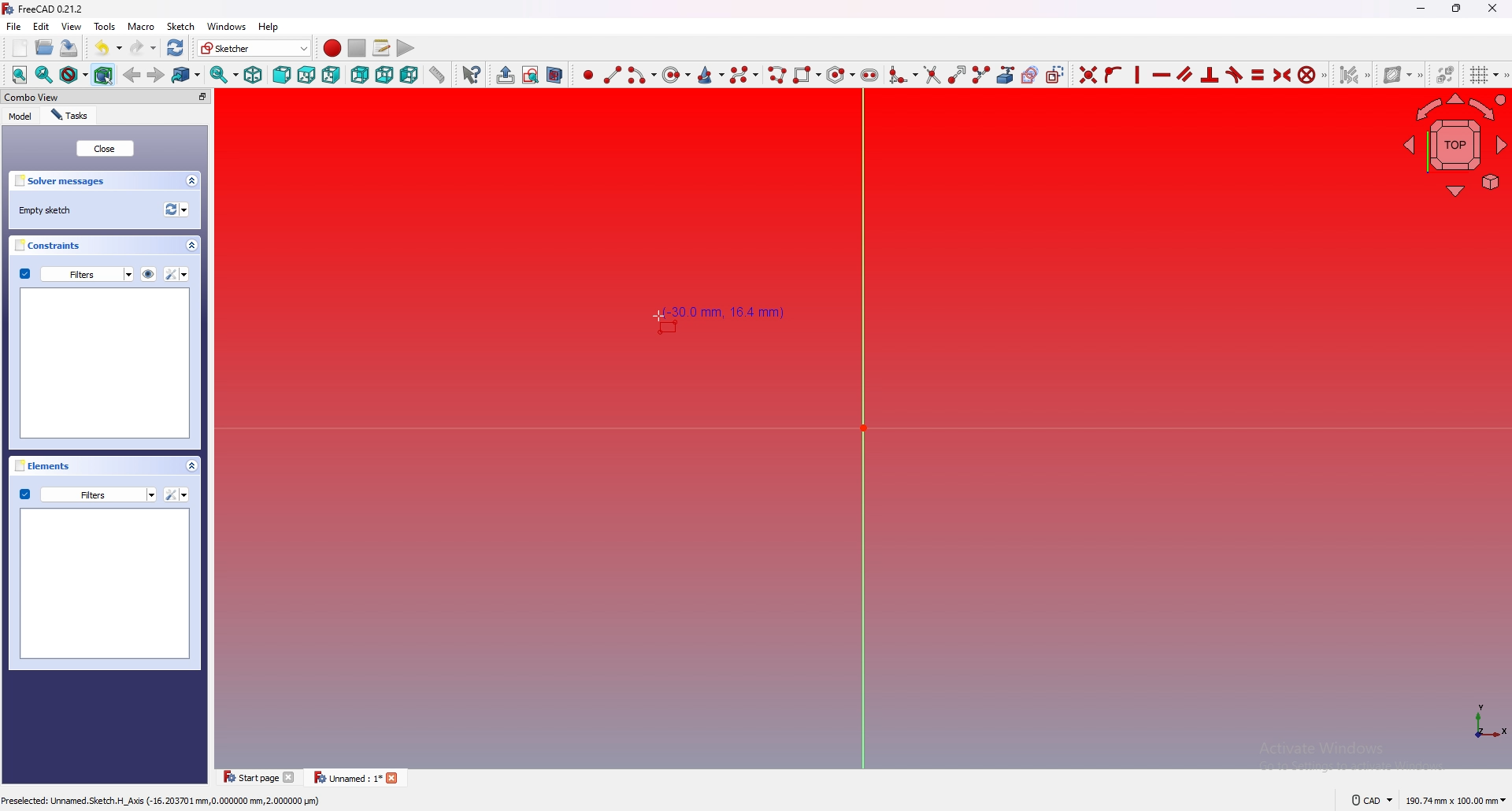  What do you see at coordinates (31, 96) in the screenshot?
I see `combo view` at bounding box center [31, 96].